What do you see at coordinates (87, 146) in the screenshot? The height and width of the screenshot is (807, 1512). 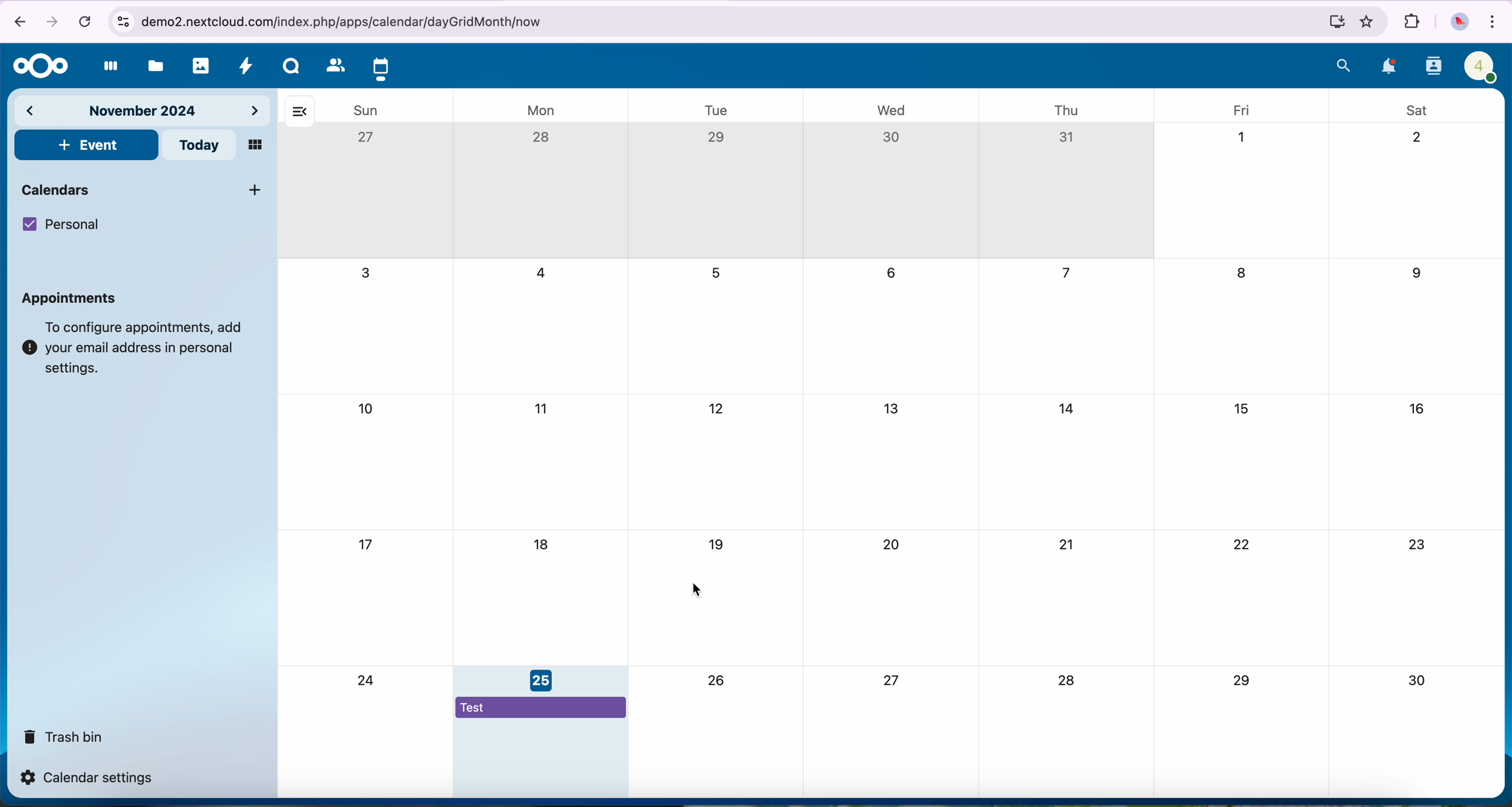 I see `click on event` at bounding box center [87, 146].